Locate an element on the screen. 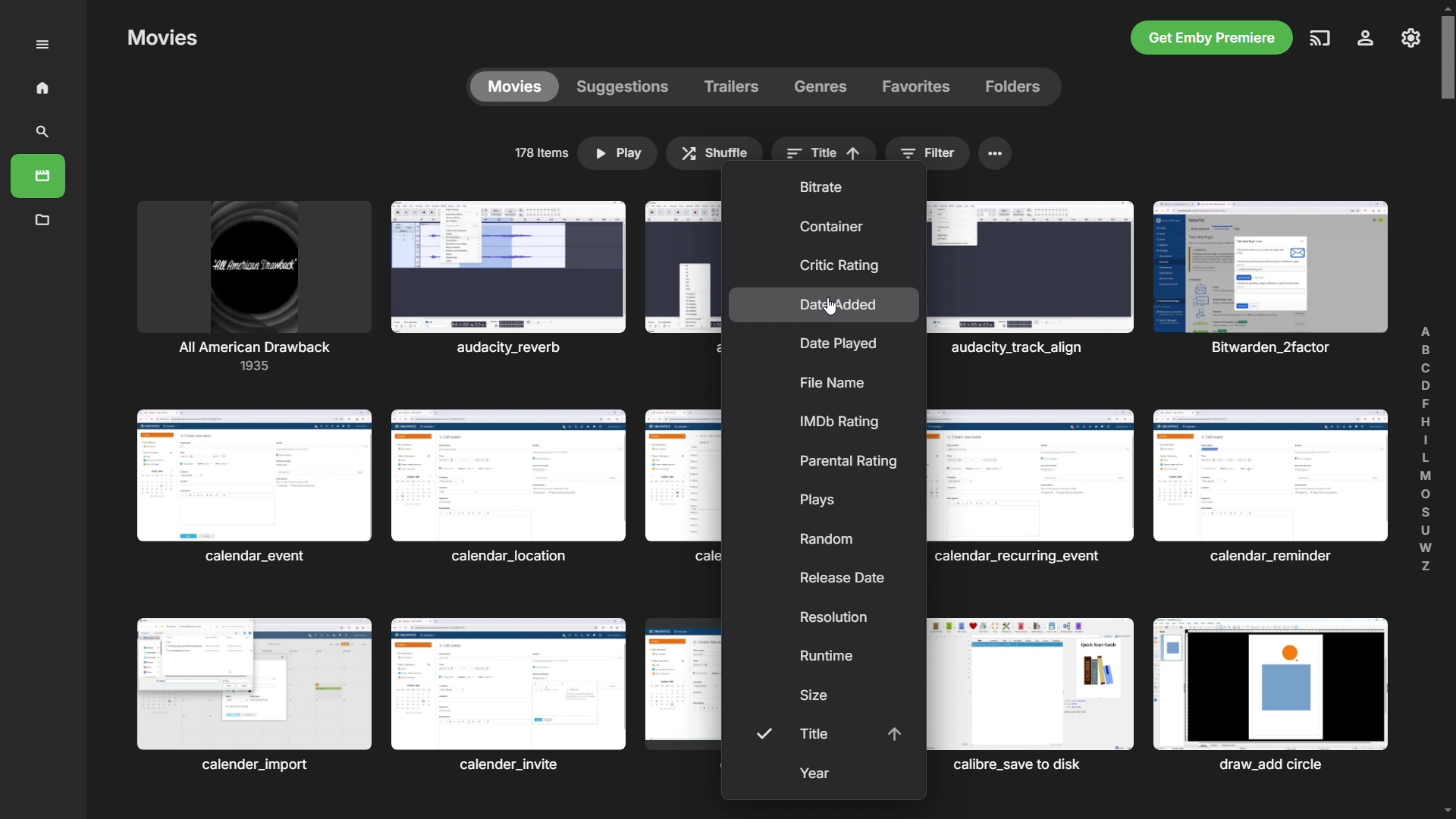 This screenshot has height=819, width=1456. no of items is located at coordinates (539, 154).